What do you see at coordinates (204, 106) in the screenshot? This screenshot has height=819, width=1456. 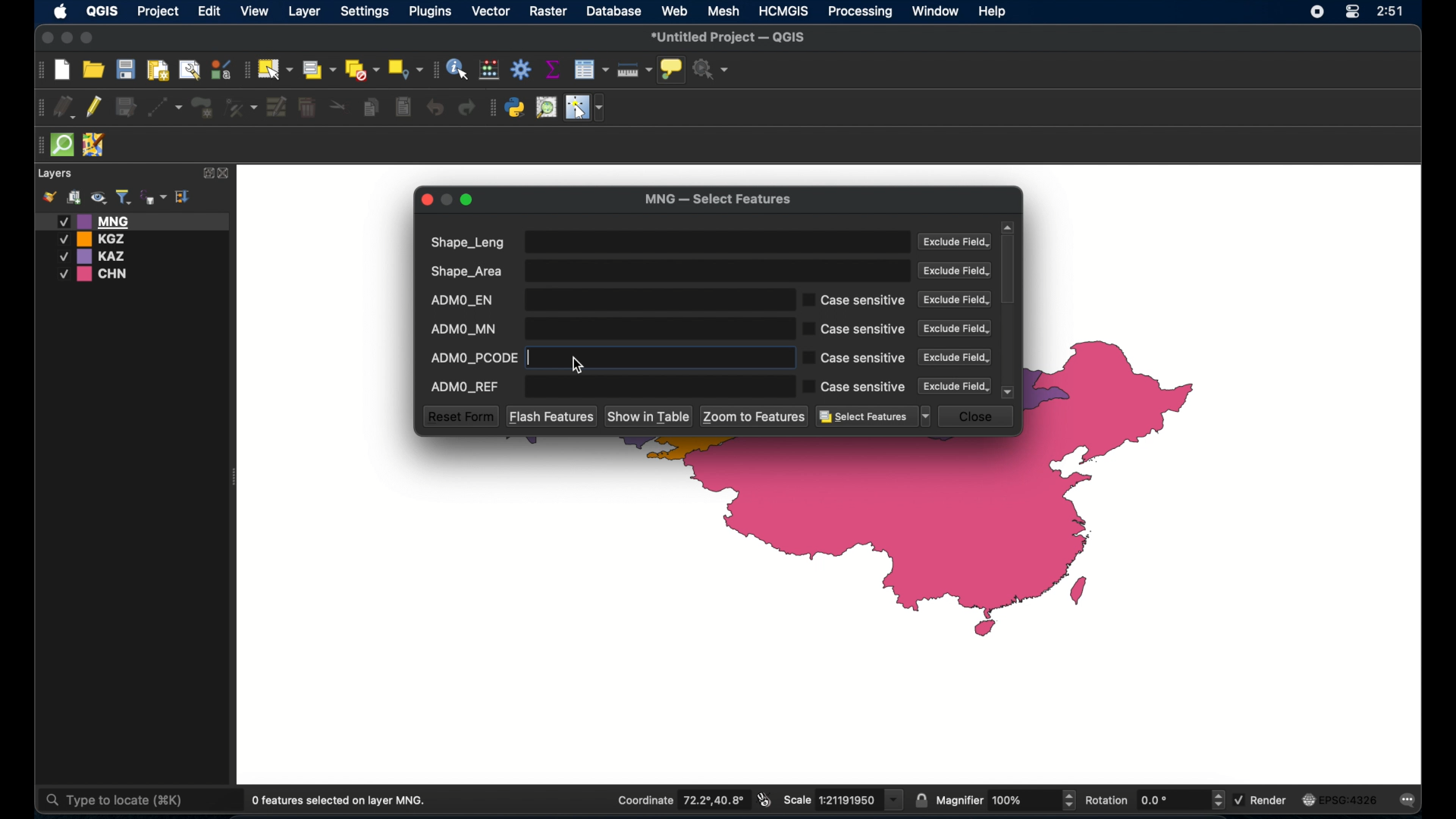 I see `add polygon feature` at bounding box center [204, 106].